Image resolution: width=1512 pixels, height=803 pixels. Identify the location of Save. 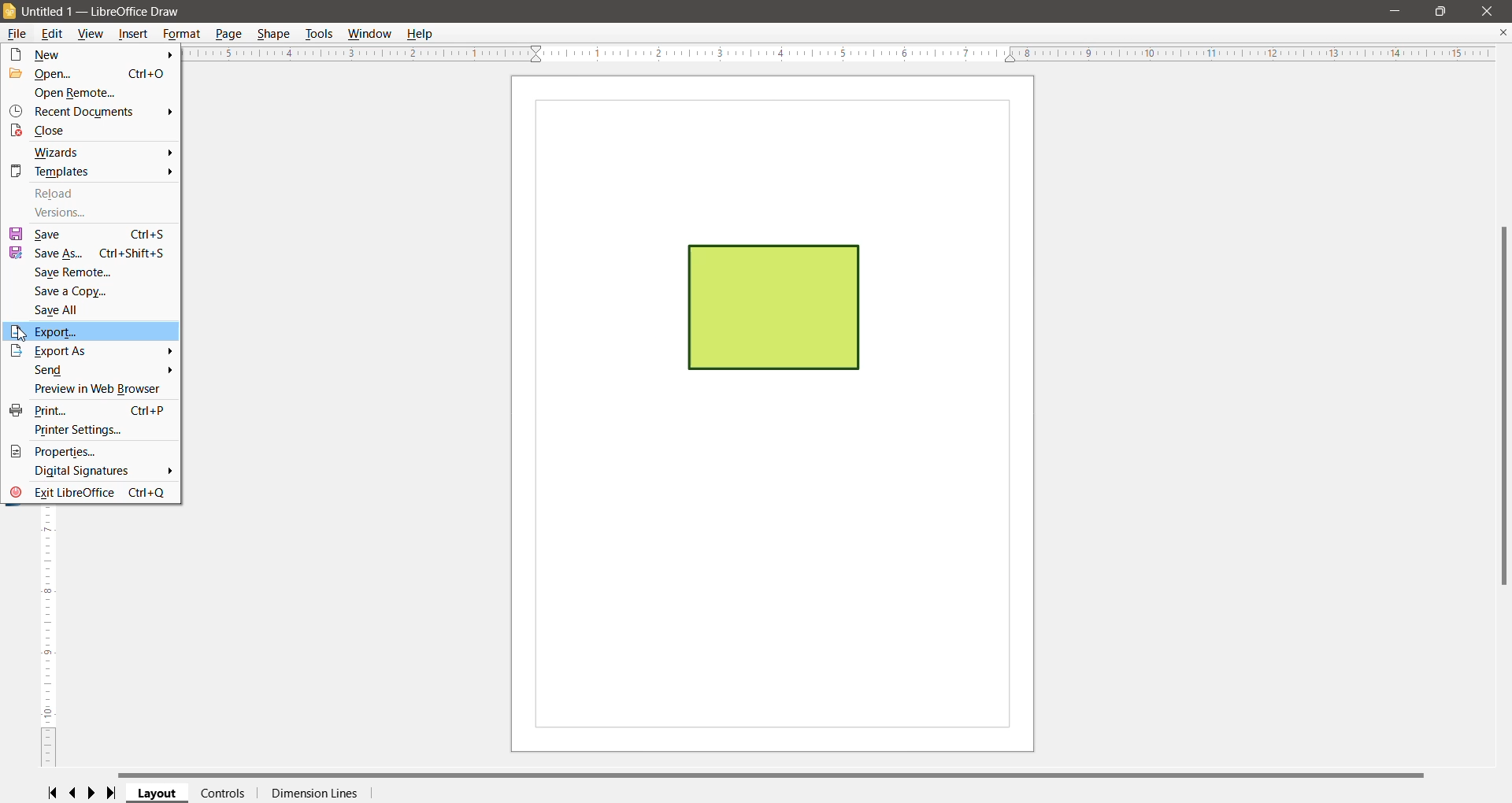
(88, 234).